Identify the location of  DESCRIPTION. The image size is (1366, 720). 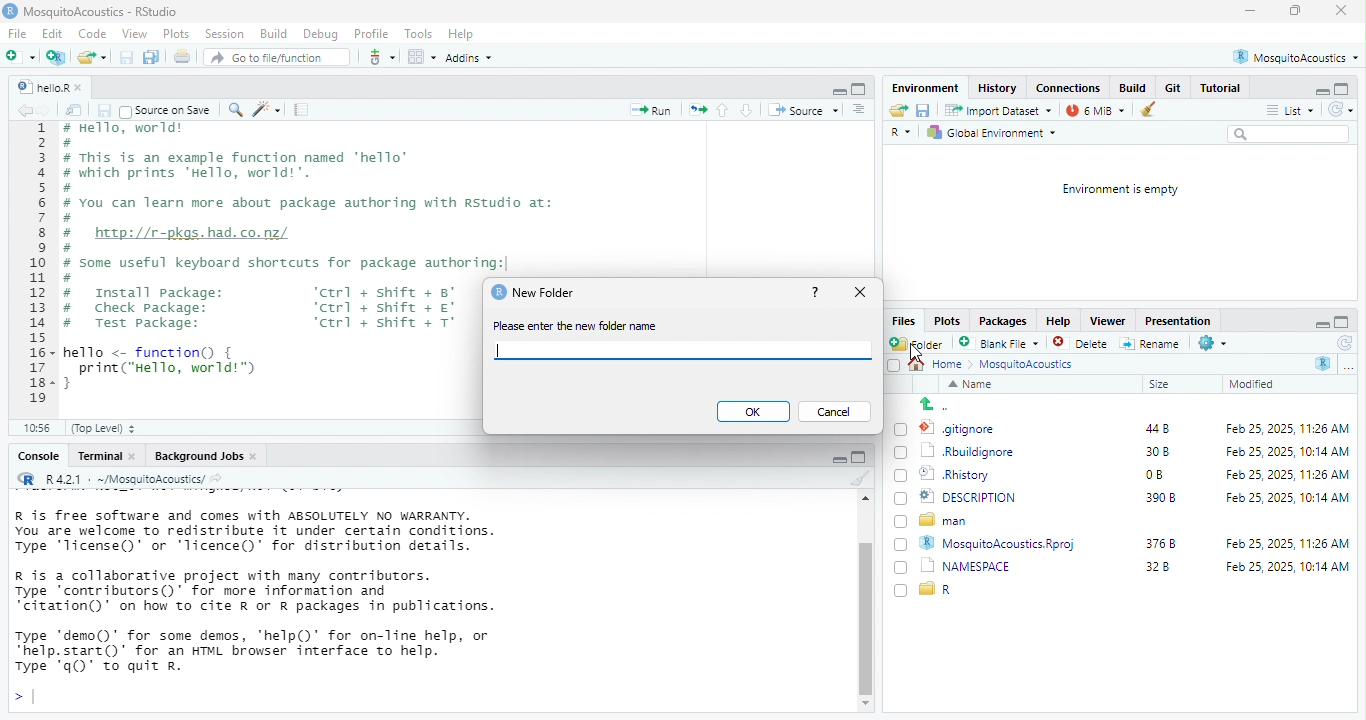
(983, 498).